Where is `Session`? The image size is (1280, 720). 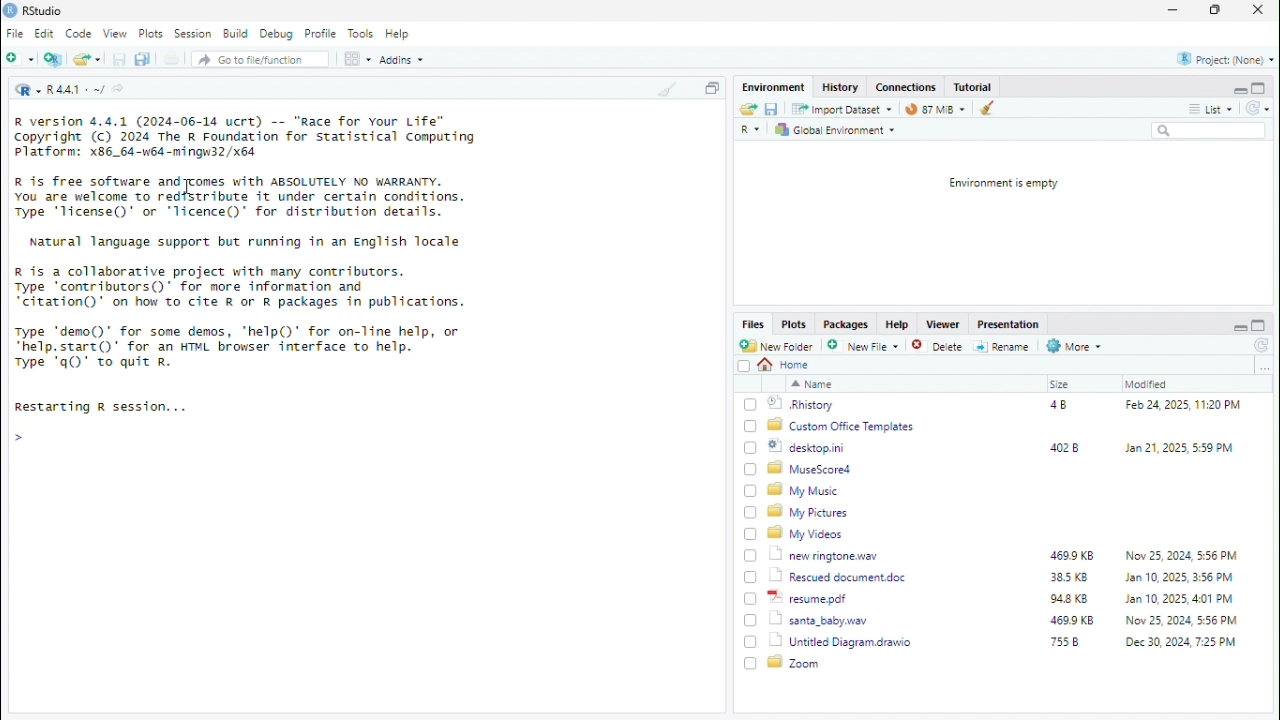
Session is located at coordinates (194, 33).